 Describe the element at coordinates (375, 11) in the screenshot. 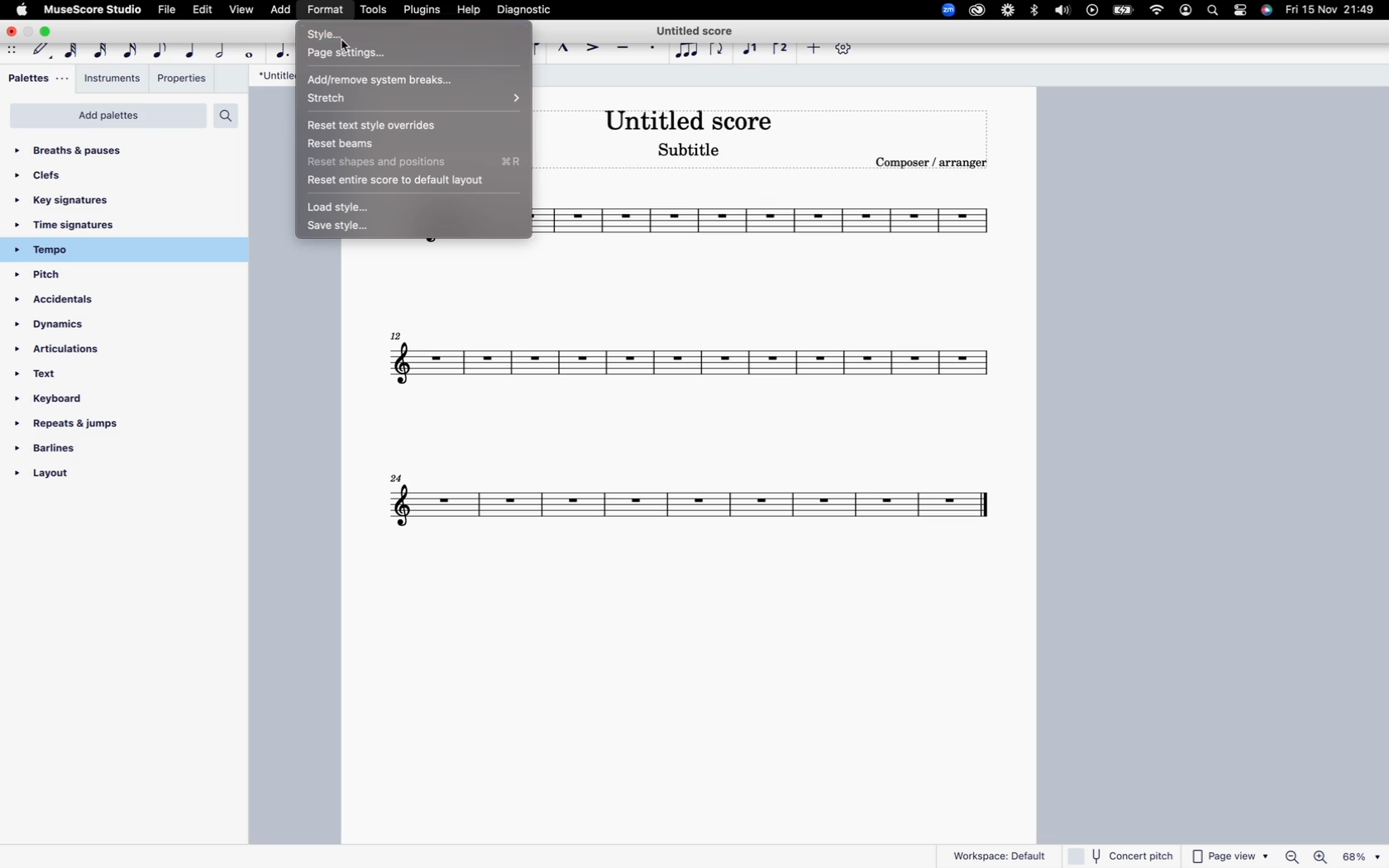

I see `tools` at that location.